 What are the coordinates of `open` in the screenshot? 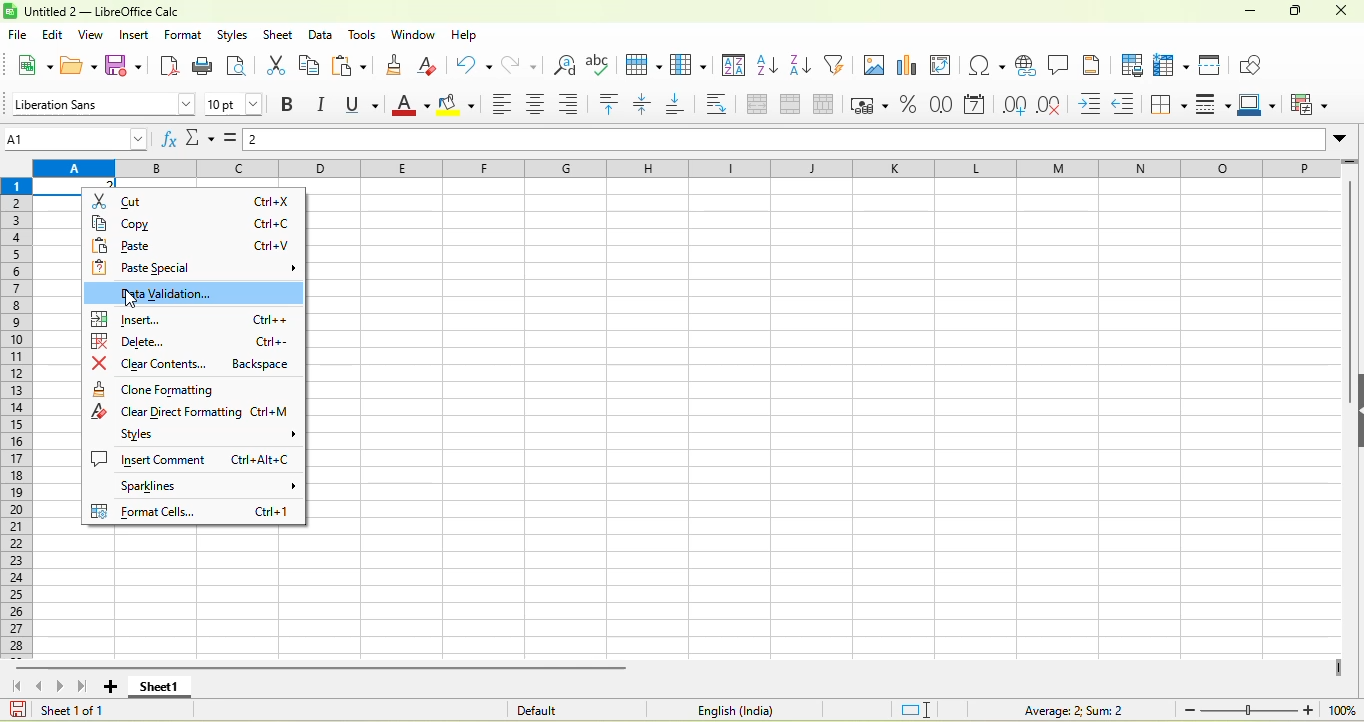 It's located at (77, 64).